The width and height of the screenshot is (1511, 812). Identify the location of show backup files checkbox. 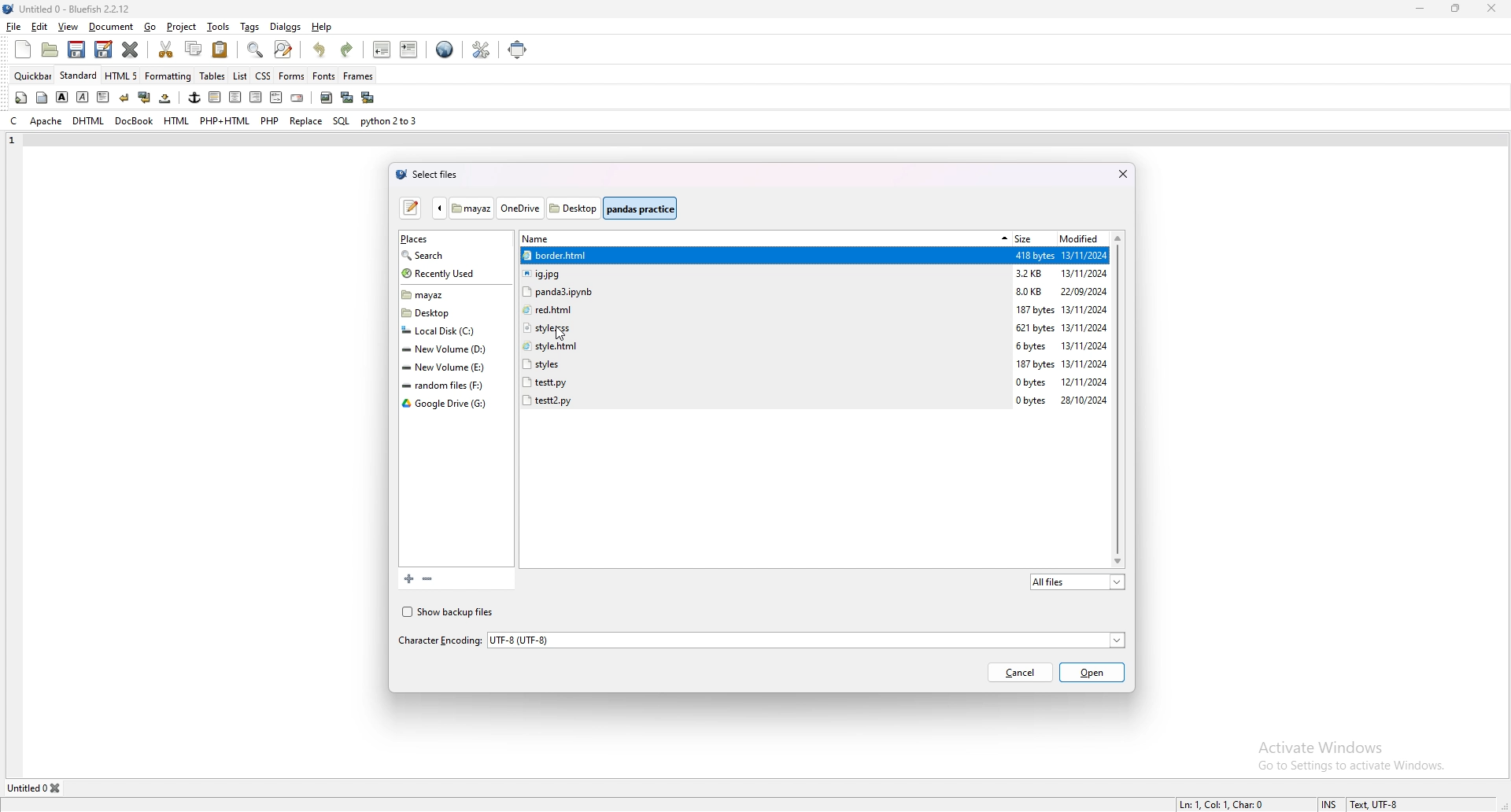
(452, 611).